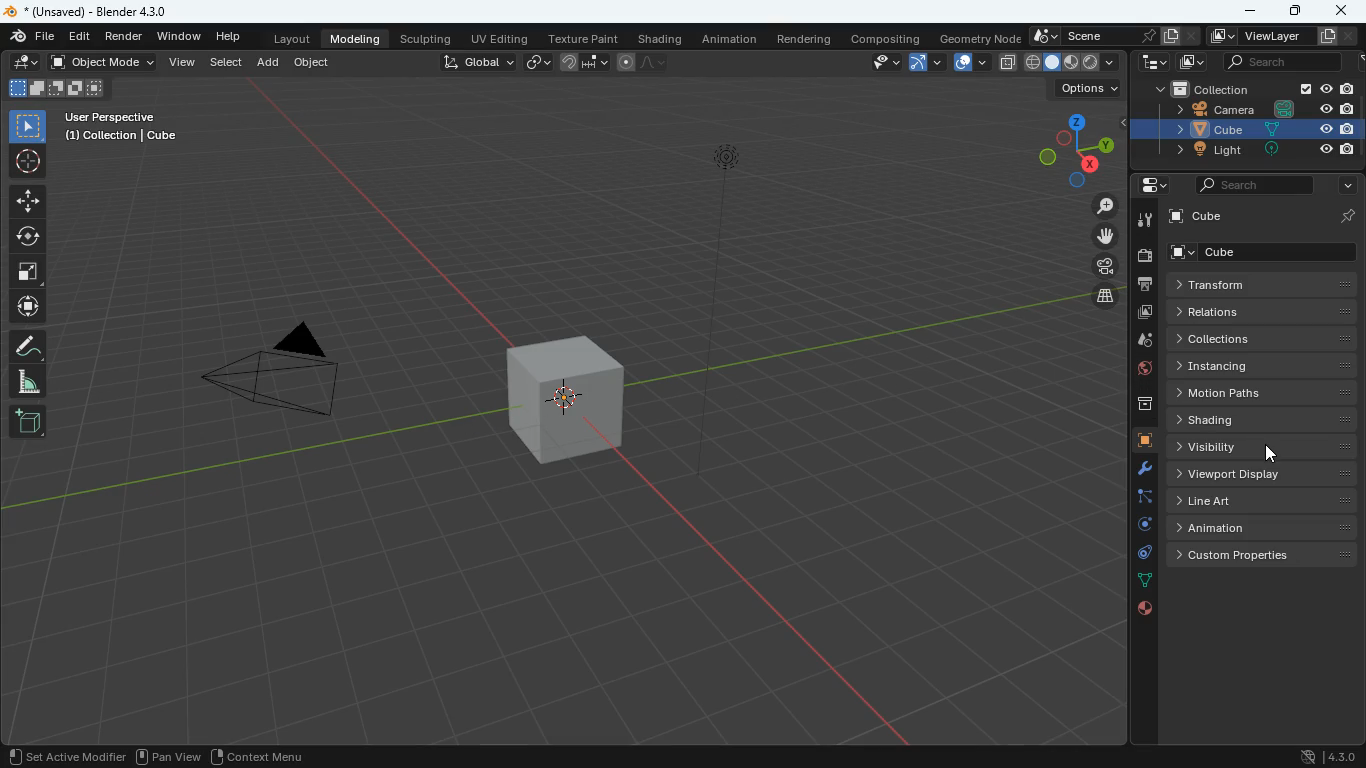 This screenshot has height=768, width=1366. Describe the element at coordinates (1138, 441) in the screenshot. I see `cube` at that location.